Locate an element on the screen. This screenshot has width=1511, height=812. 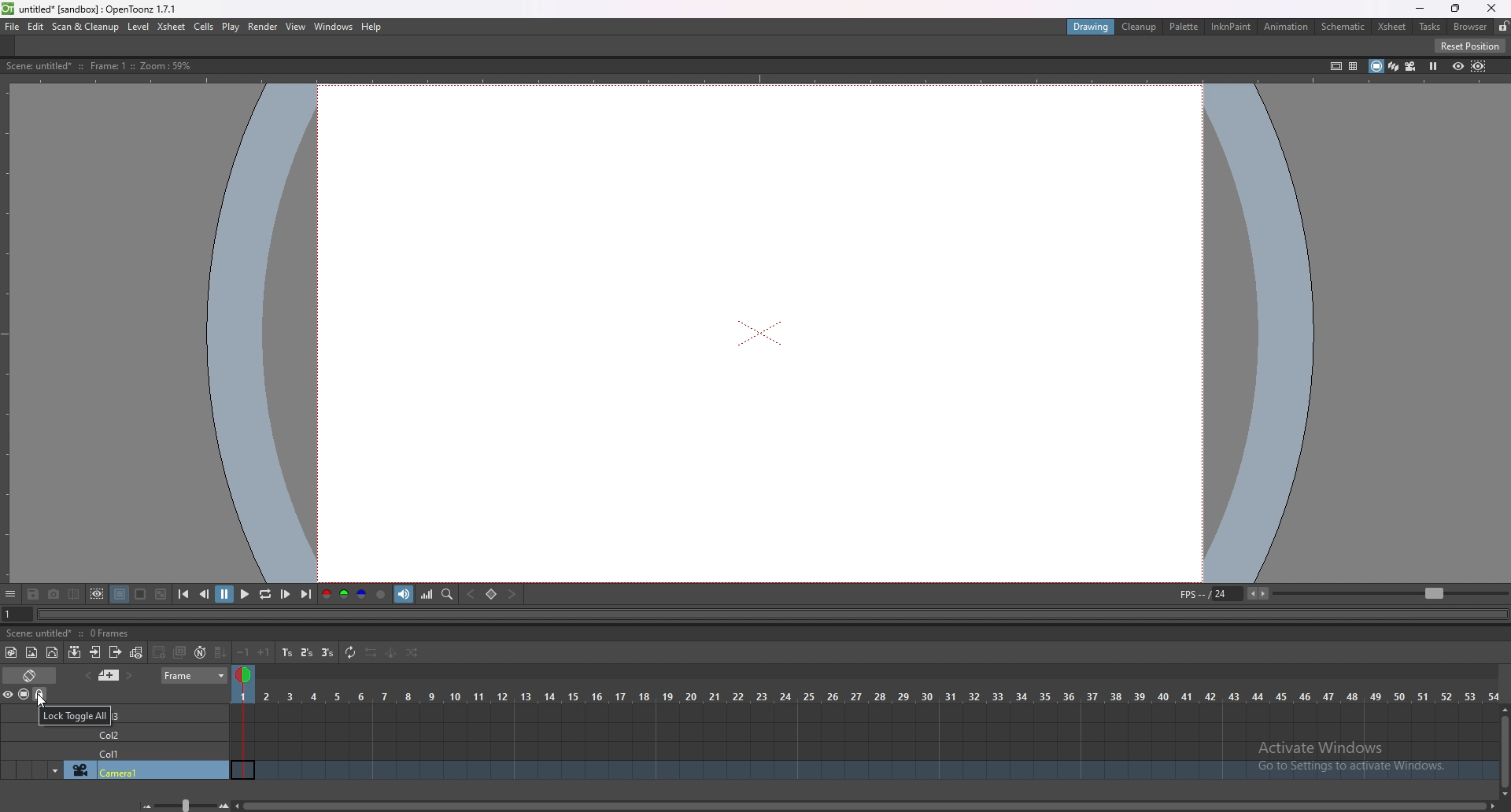
cells is located at coordinates (205, 28).